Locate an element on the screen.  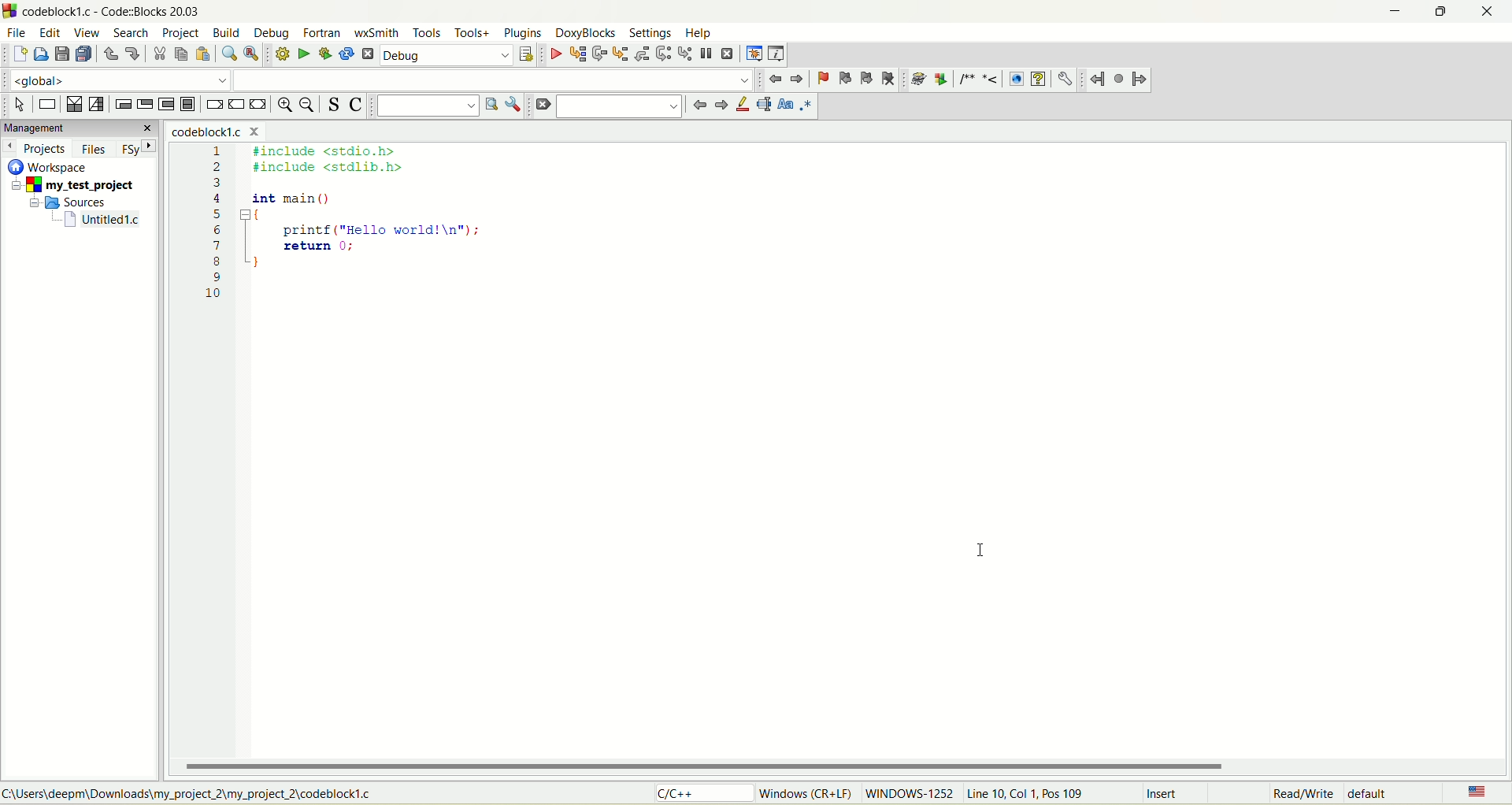
sources is located at coordinates (73, 202).